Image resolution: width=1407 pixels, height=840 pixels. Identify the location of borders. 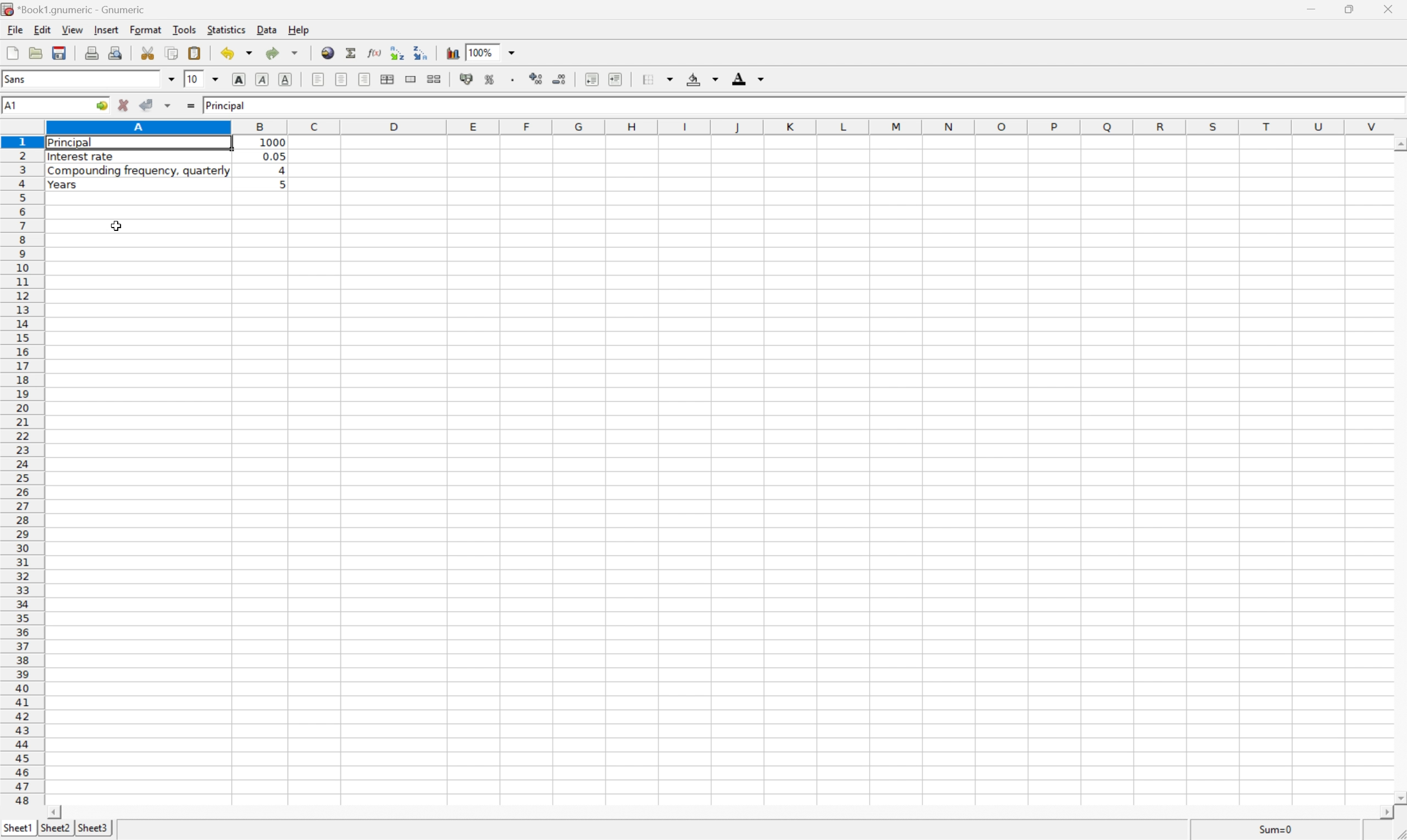
(658, 78).